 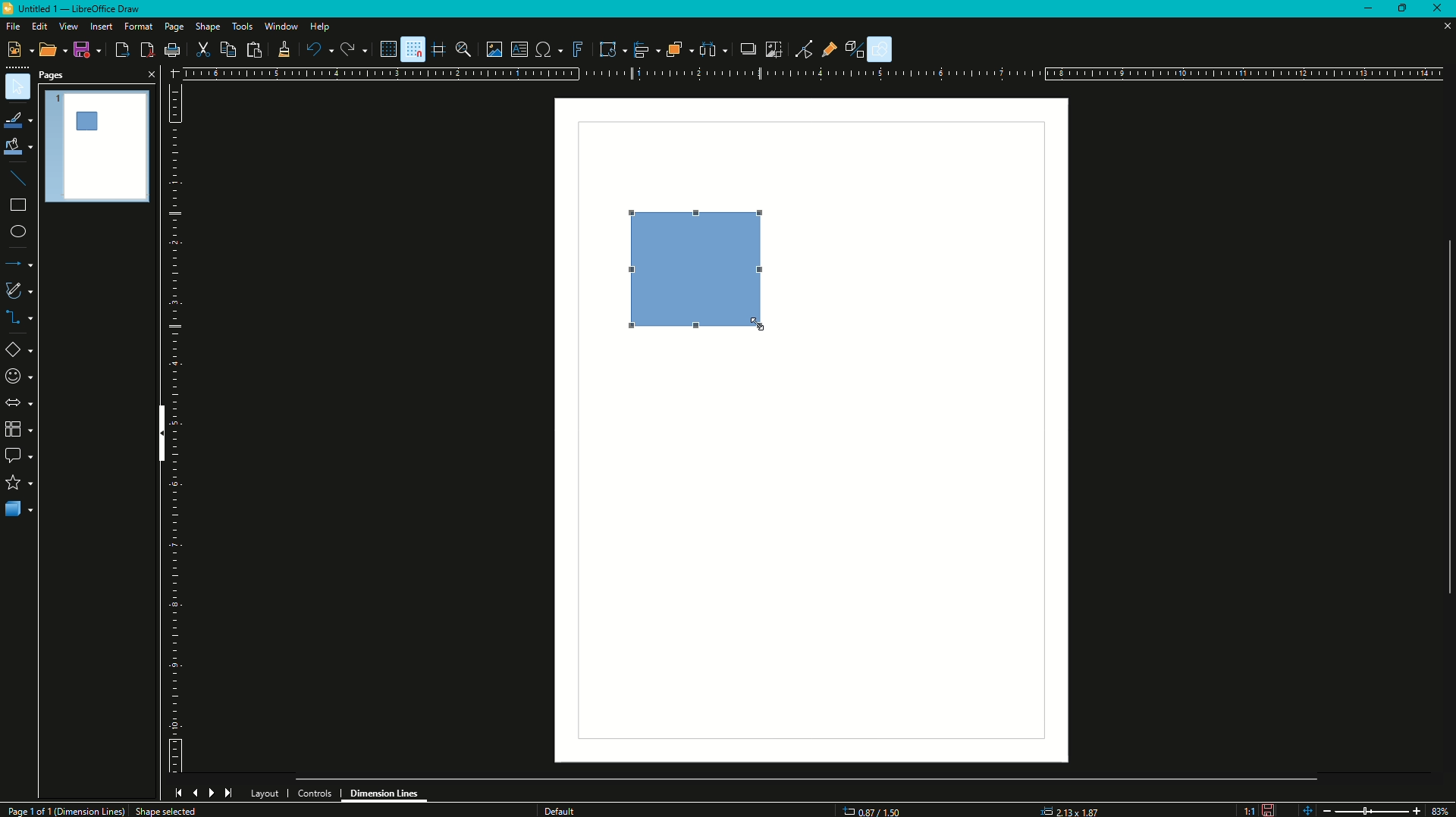 What do you see at coordinates (466, 49) in the screenshot?
I see `Zoom and Pan` at bounding box center [466, 49].